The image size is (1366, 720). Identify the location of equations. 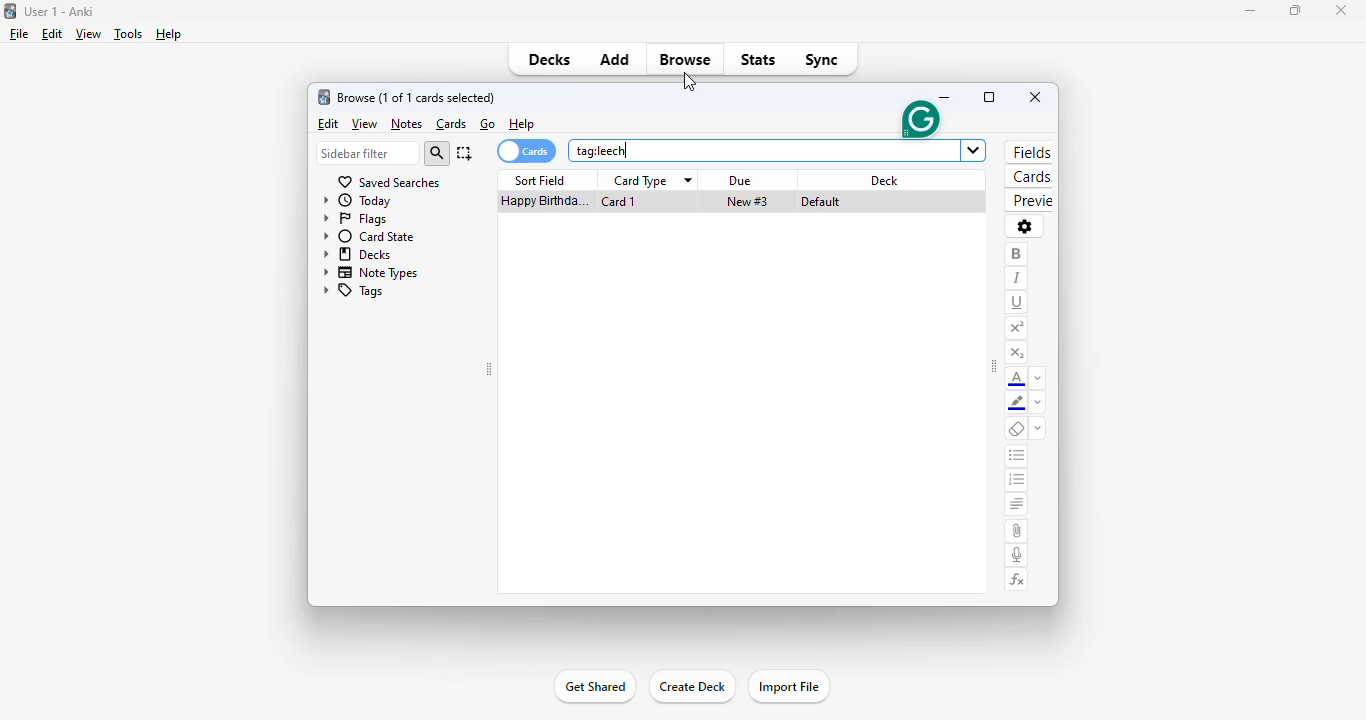
(1017, 580).